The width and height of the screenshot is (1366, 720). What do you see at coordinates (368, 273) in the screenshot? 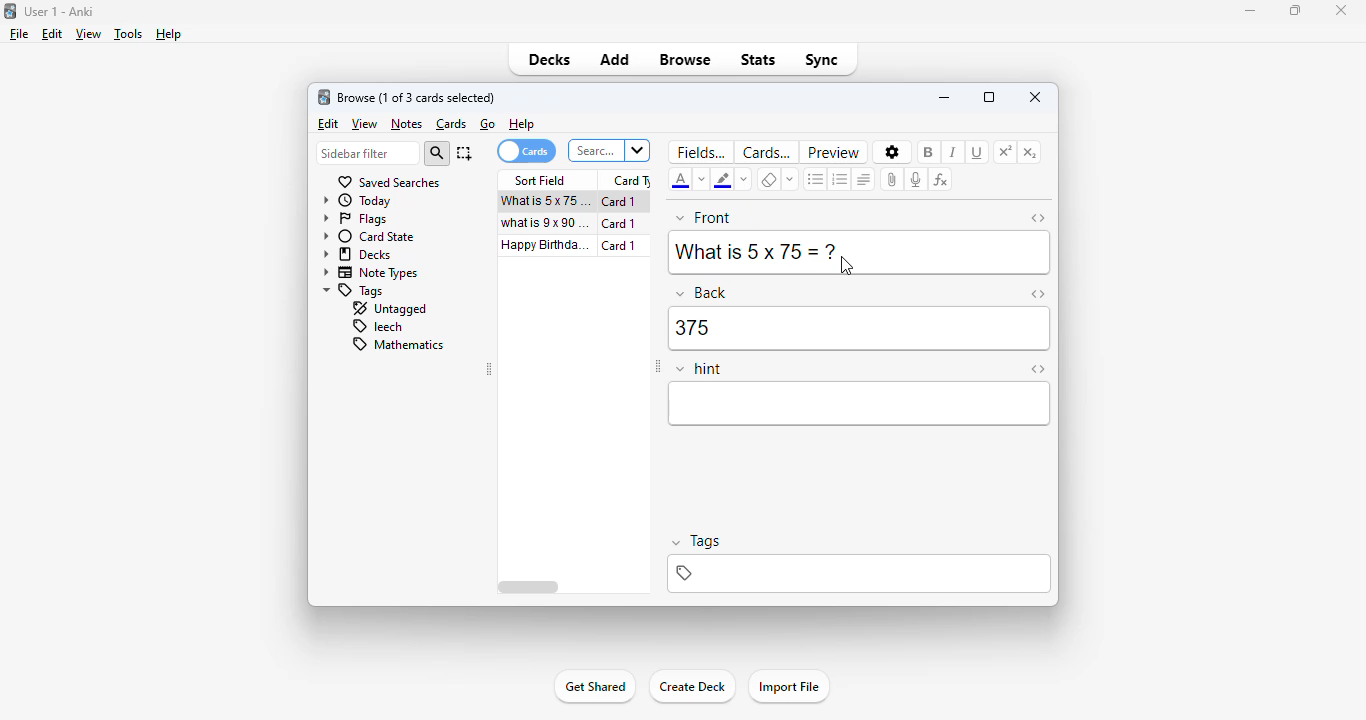
I see `note types` at bounding box center [368, 273].